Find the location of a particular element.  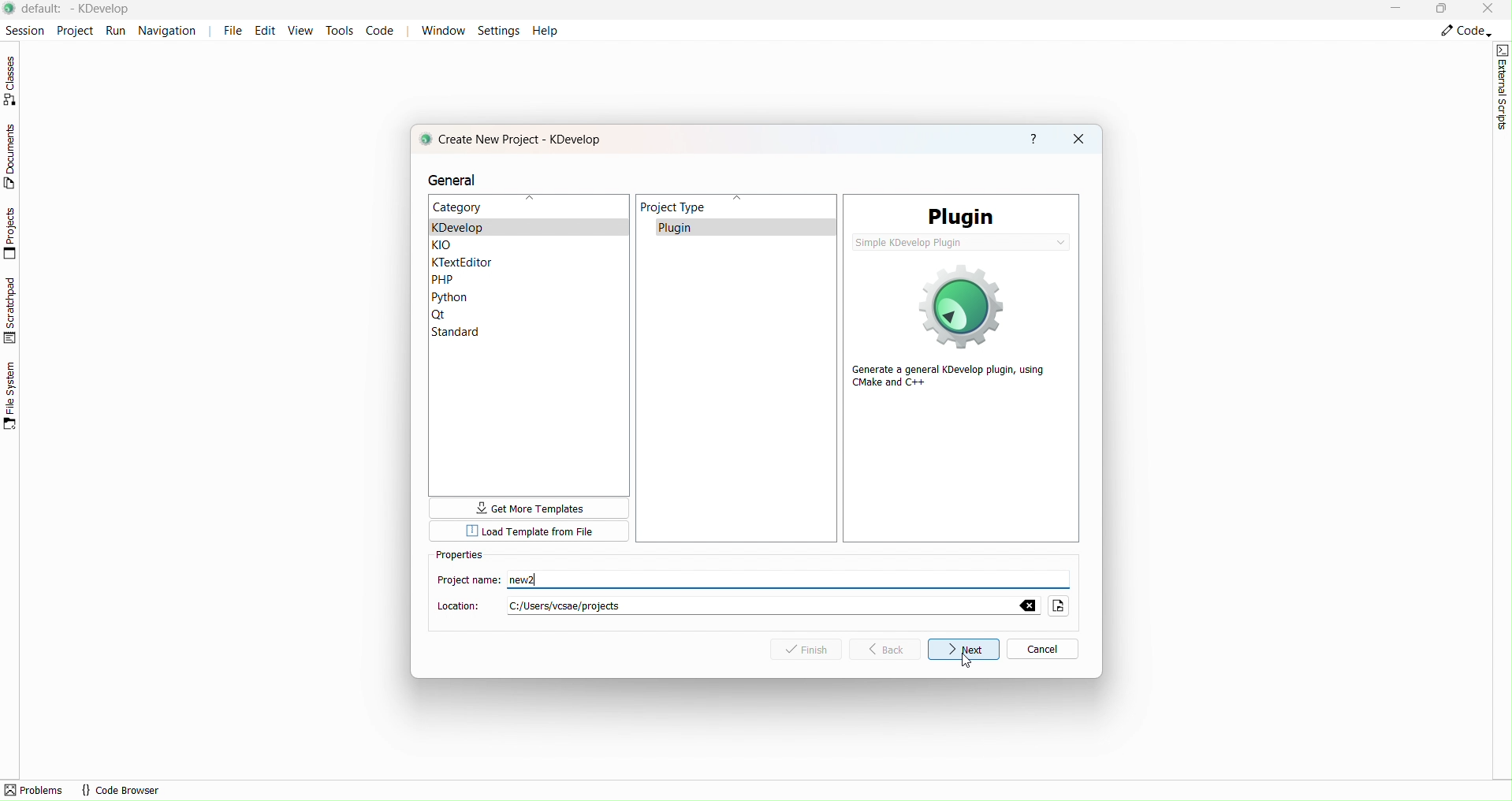

Back is located at coordinates (891, 648).